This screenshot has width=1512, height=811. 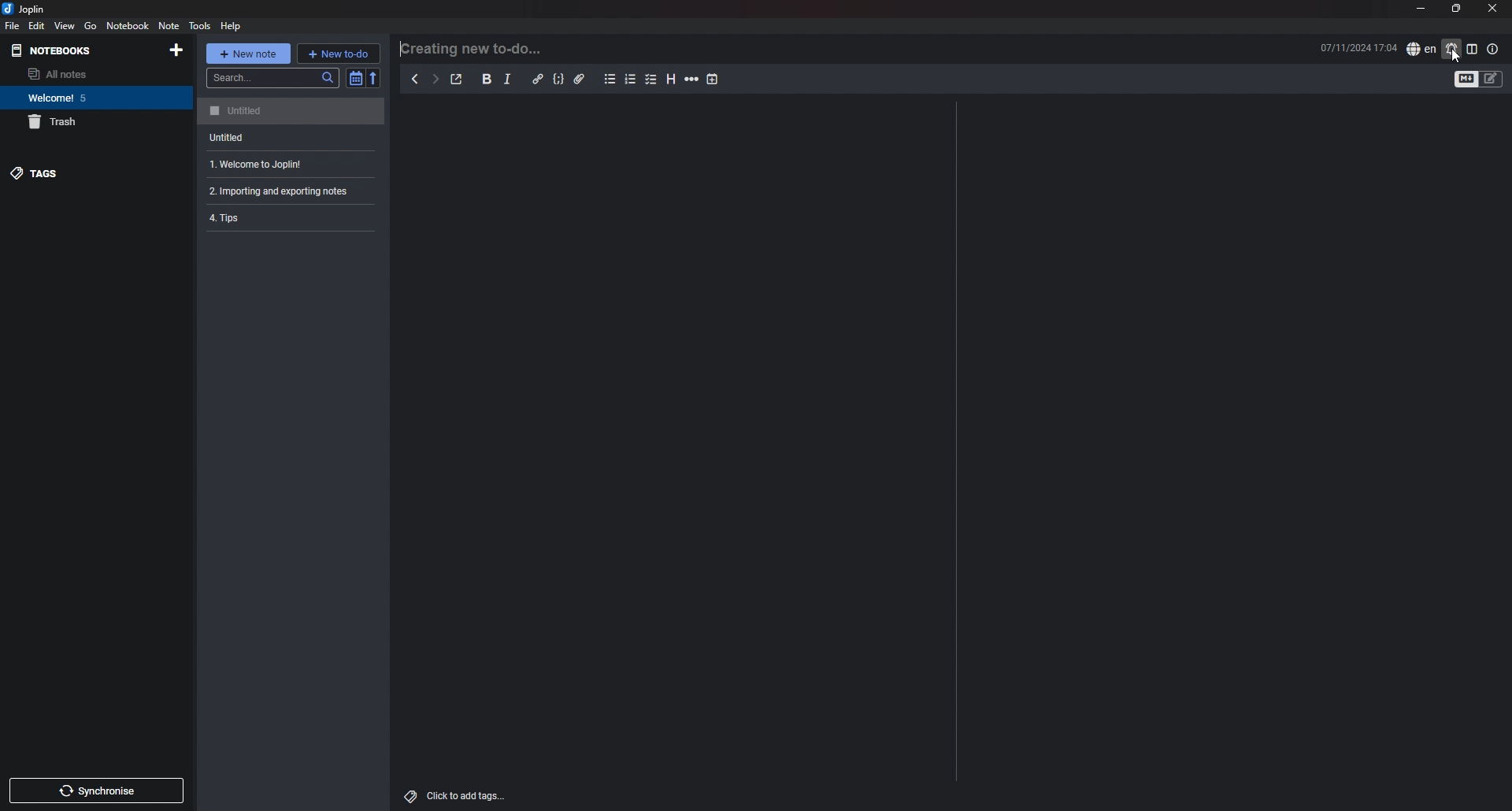 What do you see at coordinates (232, 27) in the screenshot?
I see `help` at bounding box center [232, 27].